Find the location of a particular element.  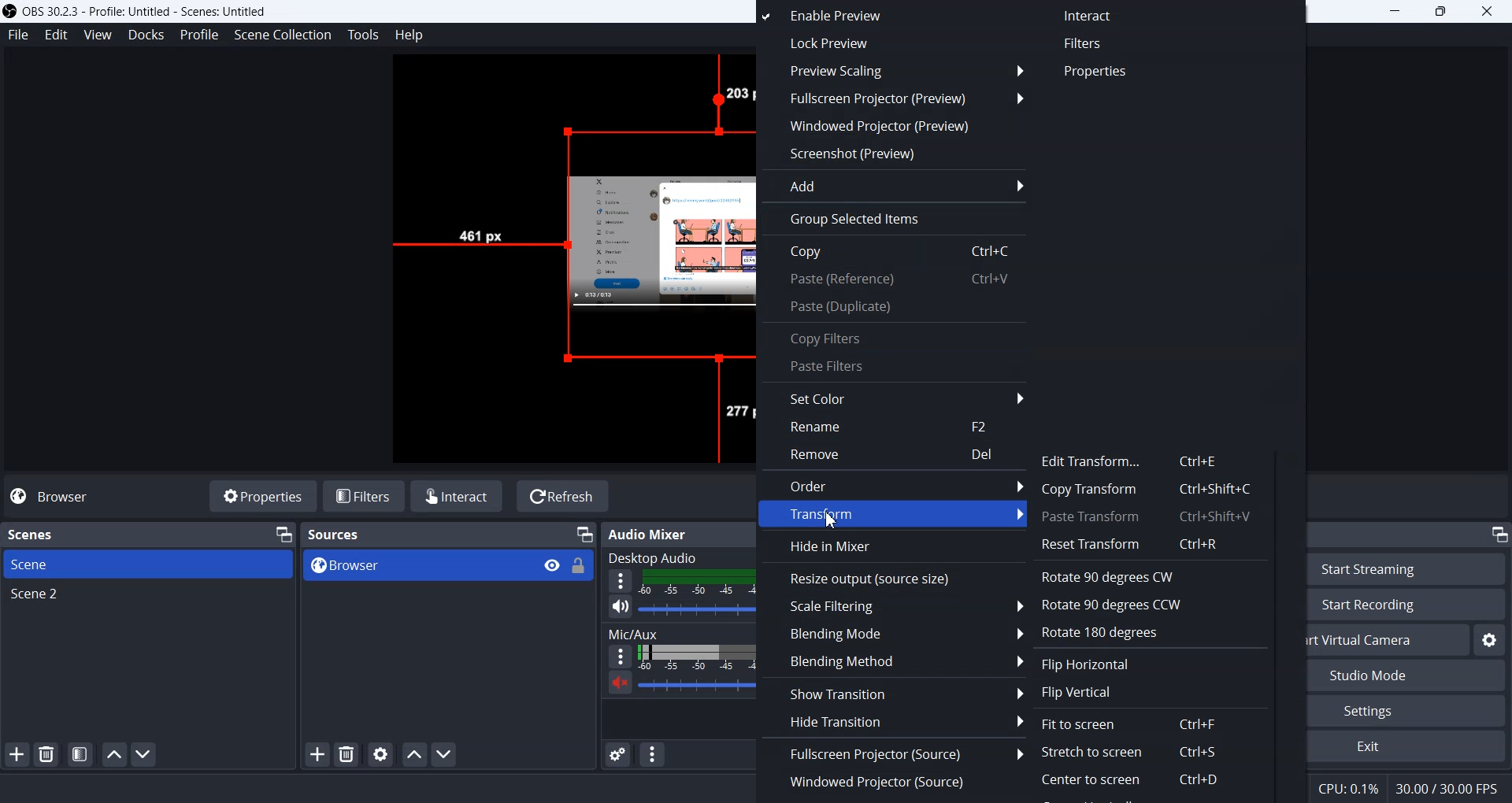

Minimize is located at coordinates (584, 535).